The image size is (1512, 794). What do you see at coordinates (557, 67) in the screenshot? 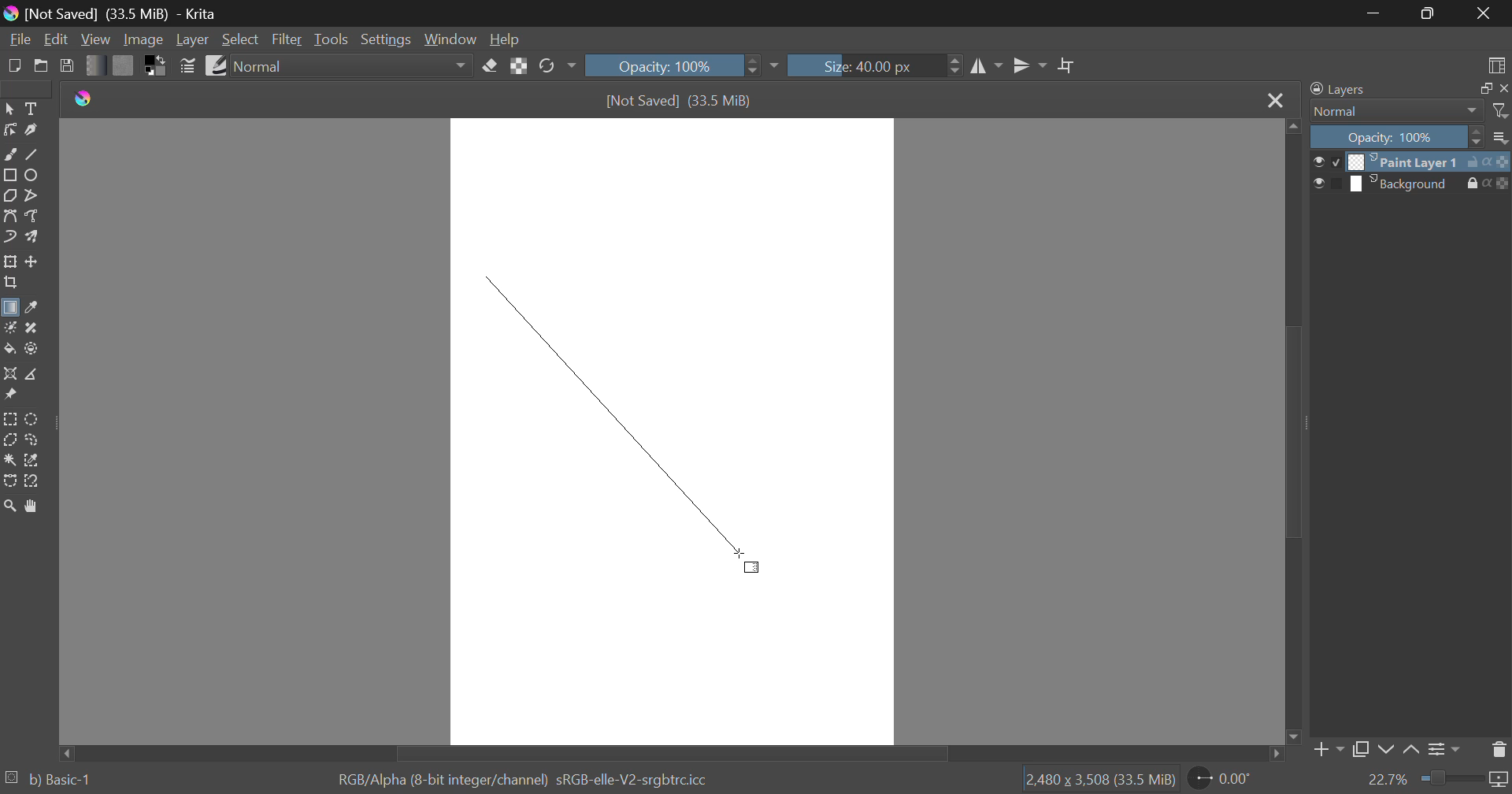
I see `Rotate` at bounding box center [557, 67].